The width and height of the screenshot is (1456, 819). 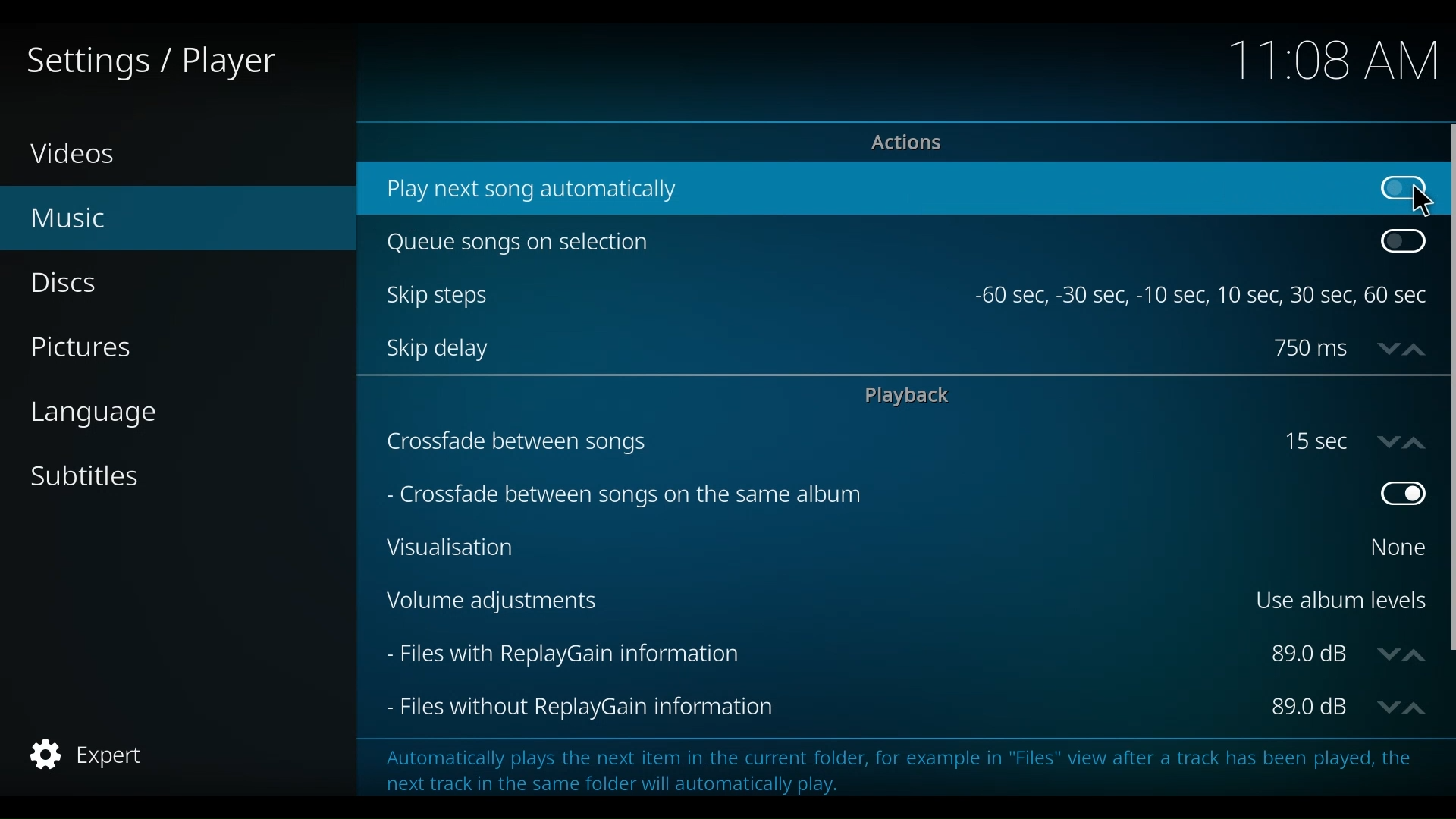 I want to click on up, so click(x=1419, y=706).